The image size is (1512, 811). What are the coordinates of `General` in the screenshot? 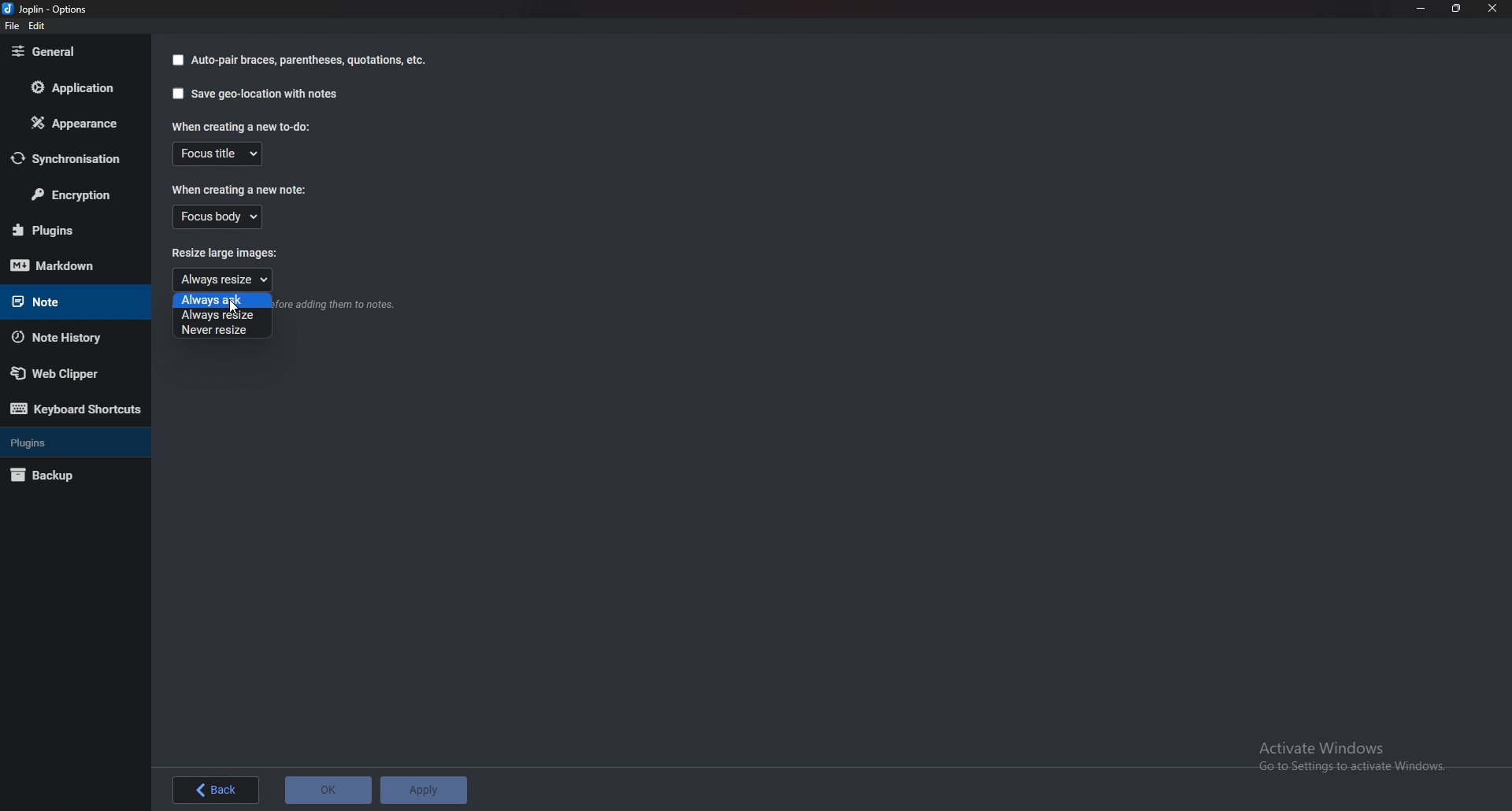 It's located at (65, 53).